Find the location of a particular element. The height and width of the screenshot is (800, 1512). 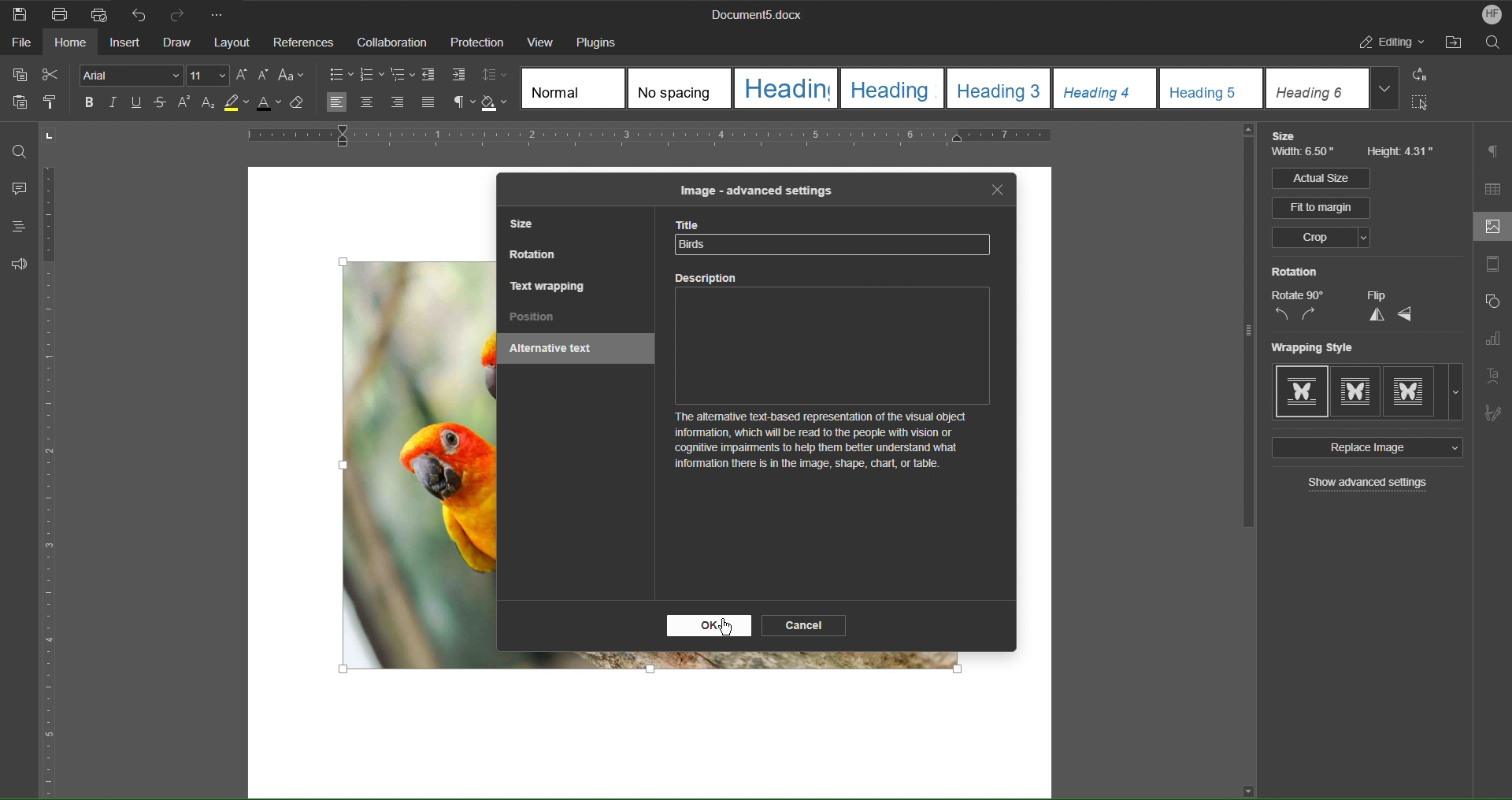

Document Title is located at coordinates (754, 16).